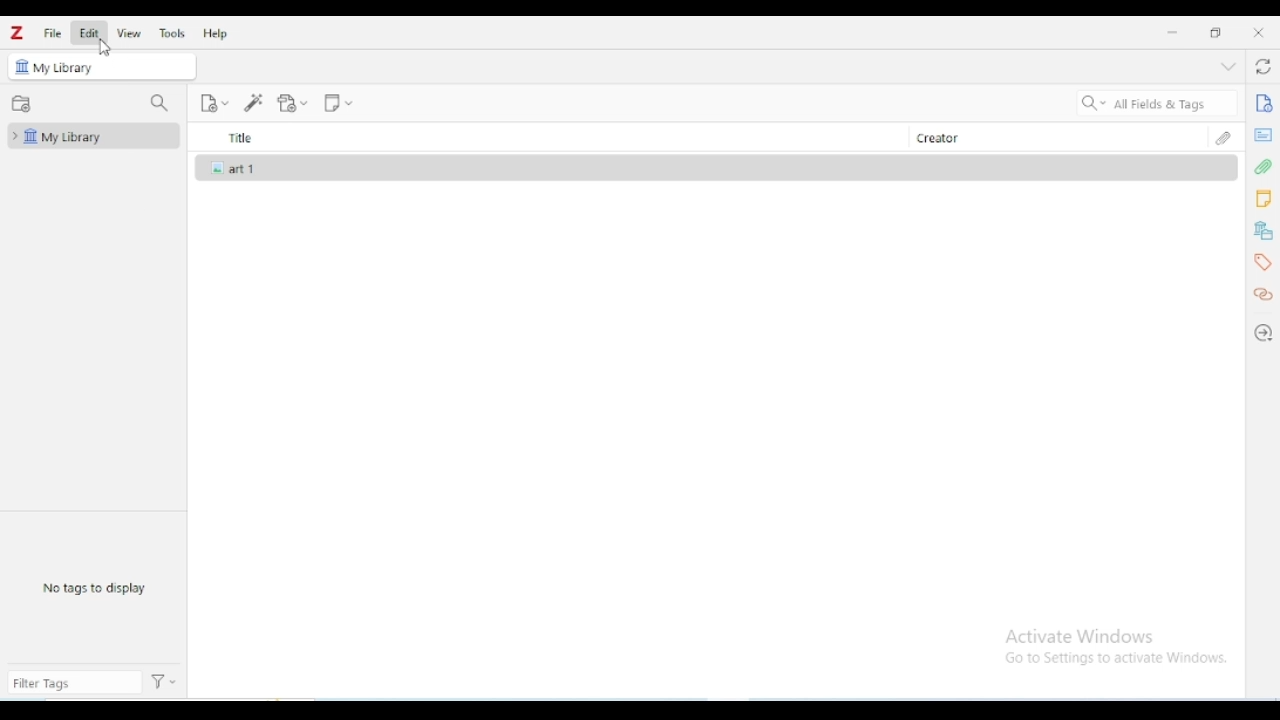 This screenshot has height=720, width=1280. I want to click on actions, so click(164, 682).